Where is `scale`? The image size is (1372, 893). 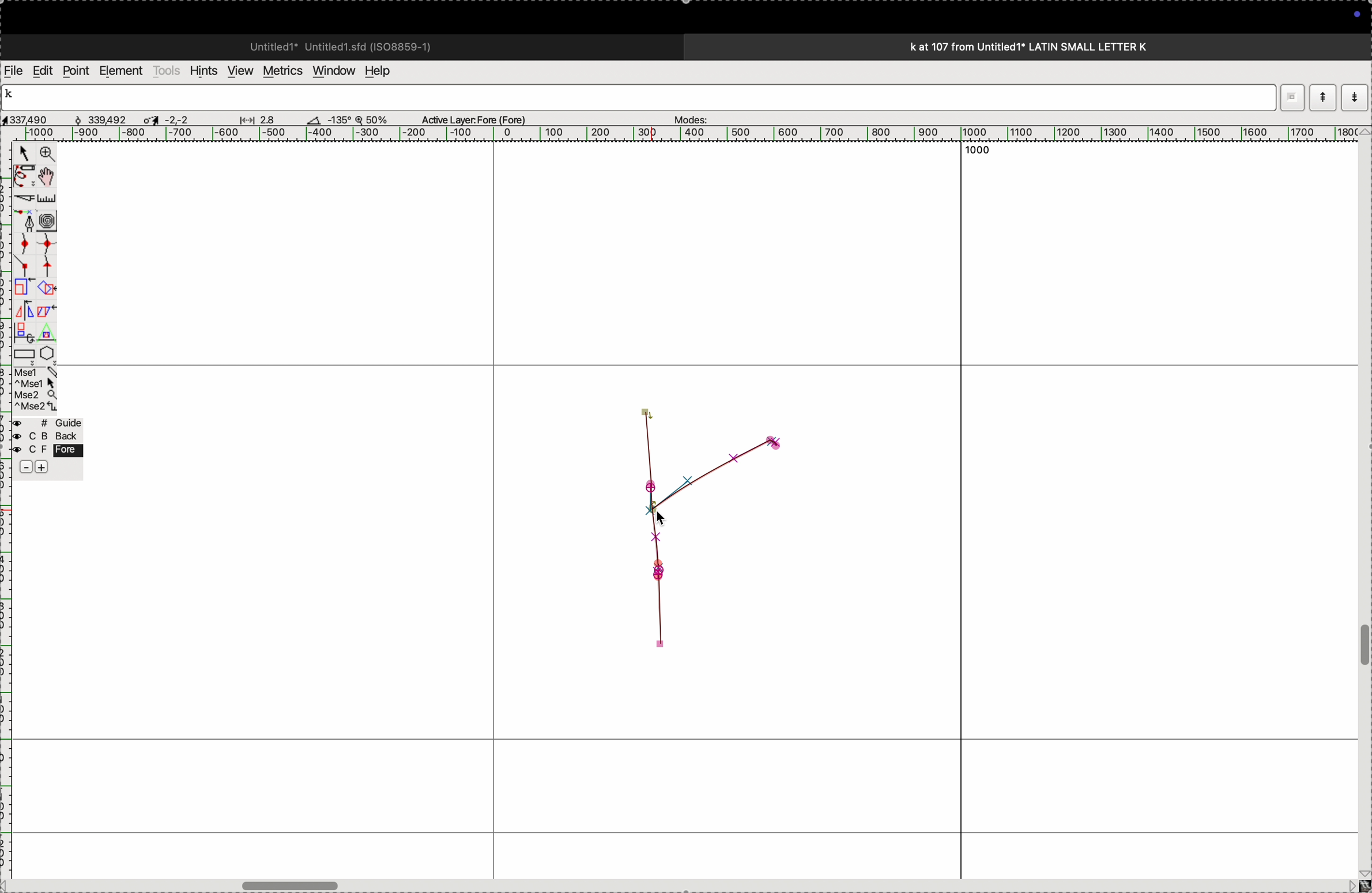 scale is located at coordinates (49, 198).